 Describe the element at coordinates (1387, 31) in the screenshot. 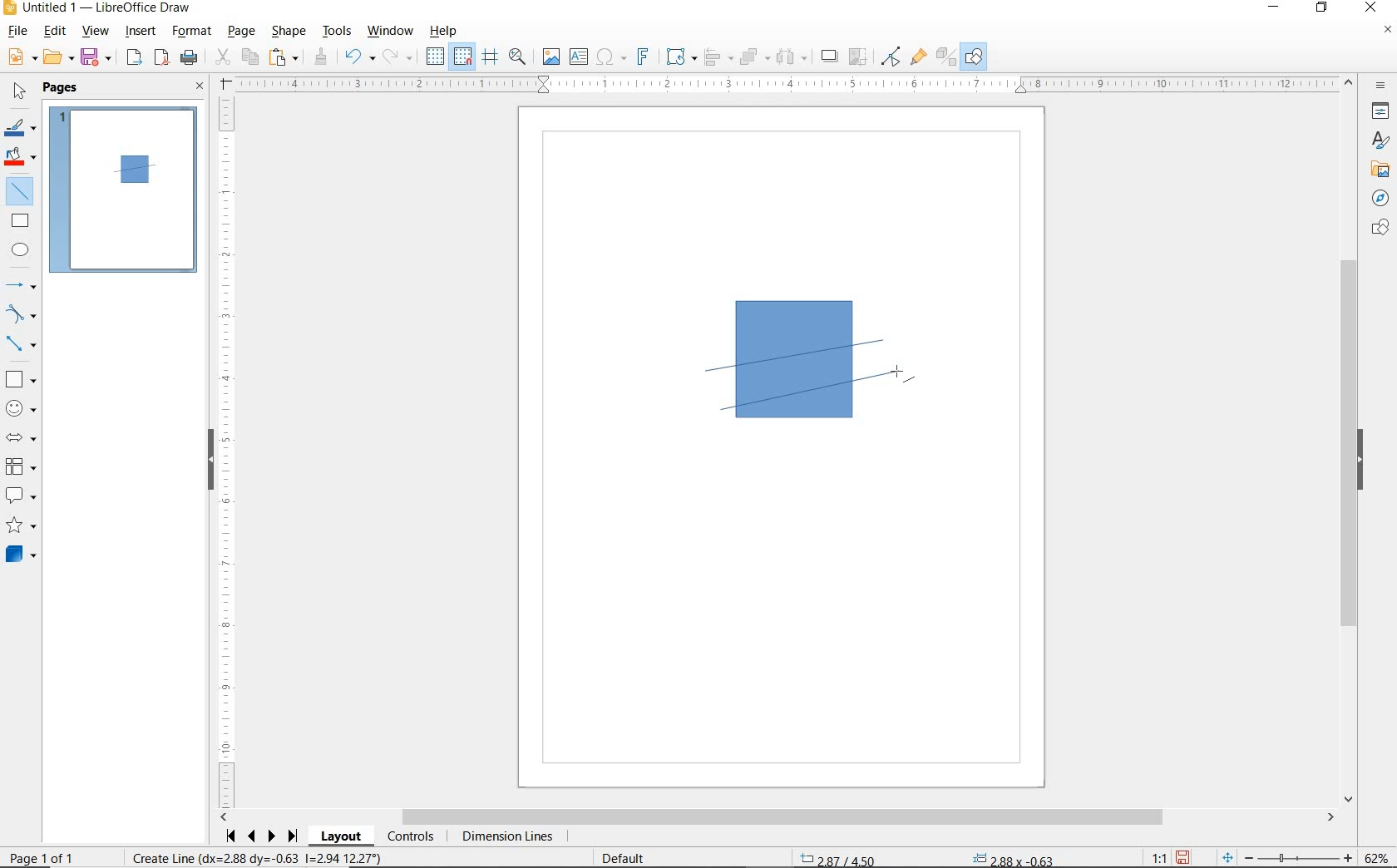

I see `CLOSE DOCUMENT` at that location.